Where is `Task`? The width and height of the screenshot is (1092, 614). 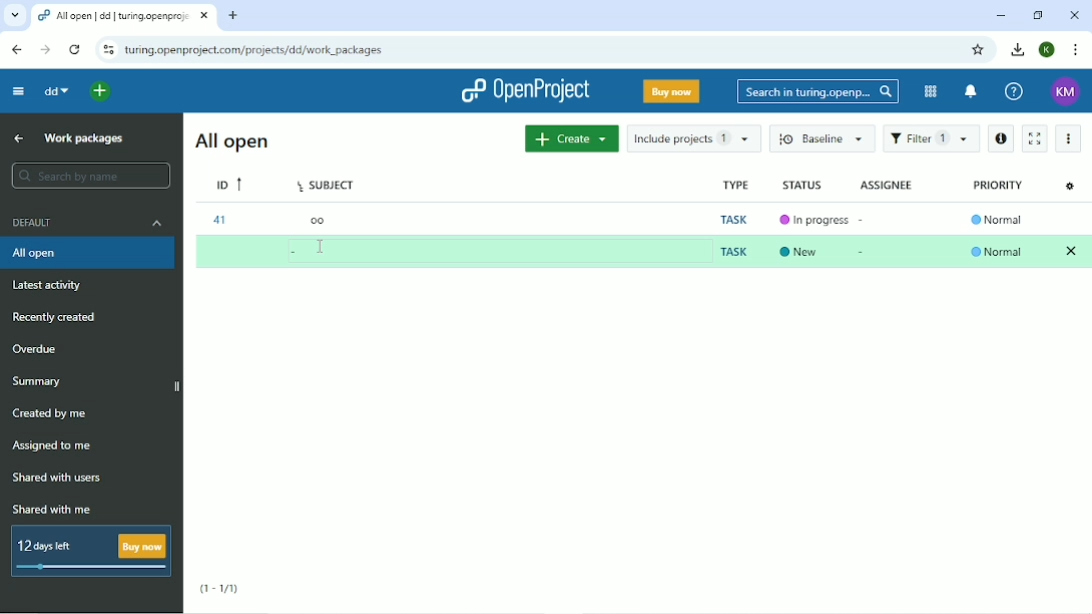
Task is located at coordinates (734, 251).